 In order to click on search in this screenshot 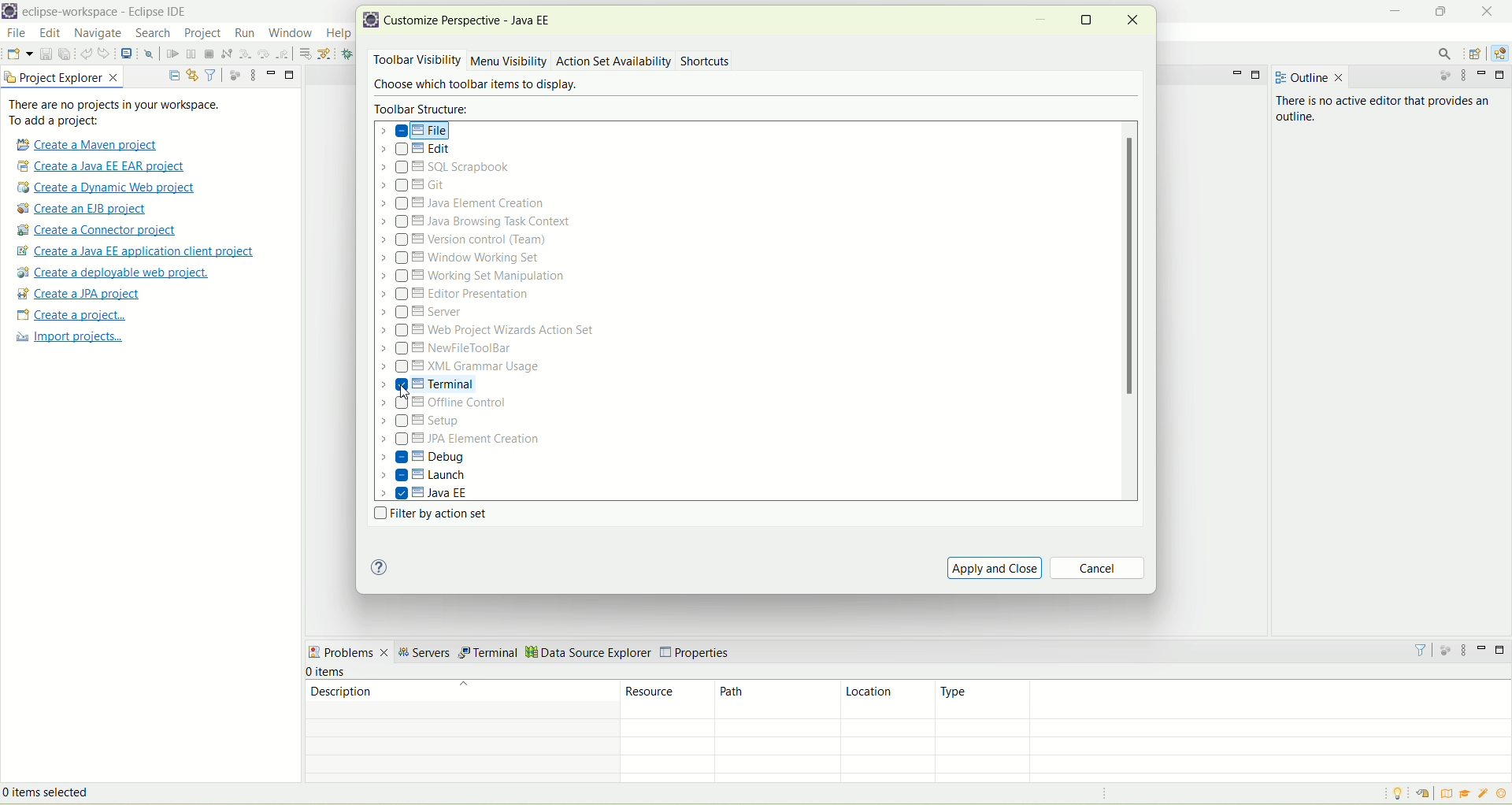, I will do `click(1447, 54)`.